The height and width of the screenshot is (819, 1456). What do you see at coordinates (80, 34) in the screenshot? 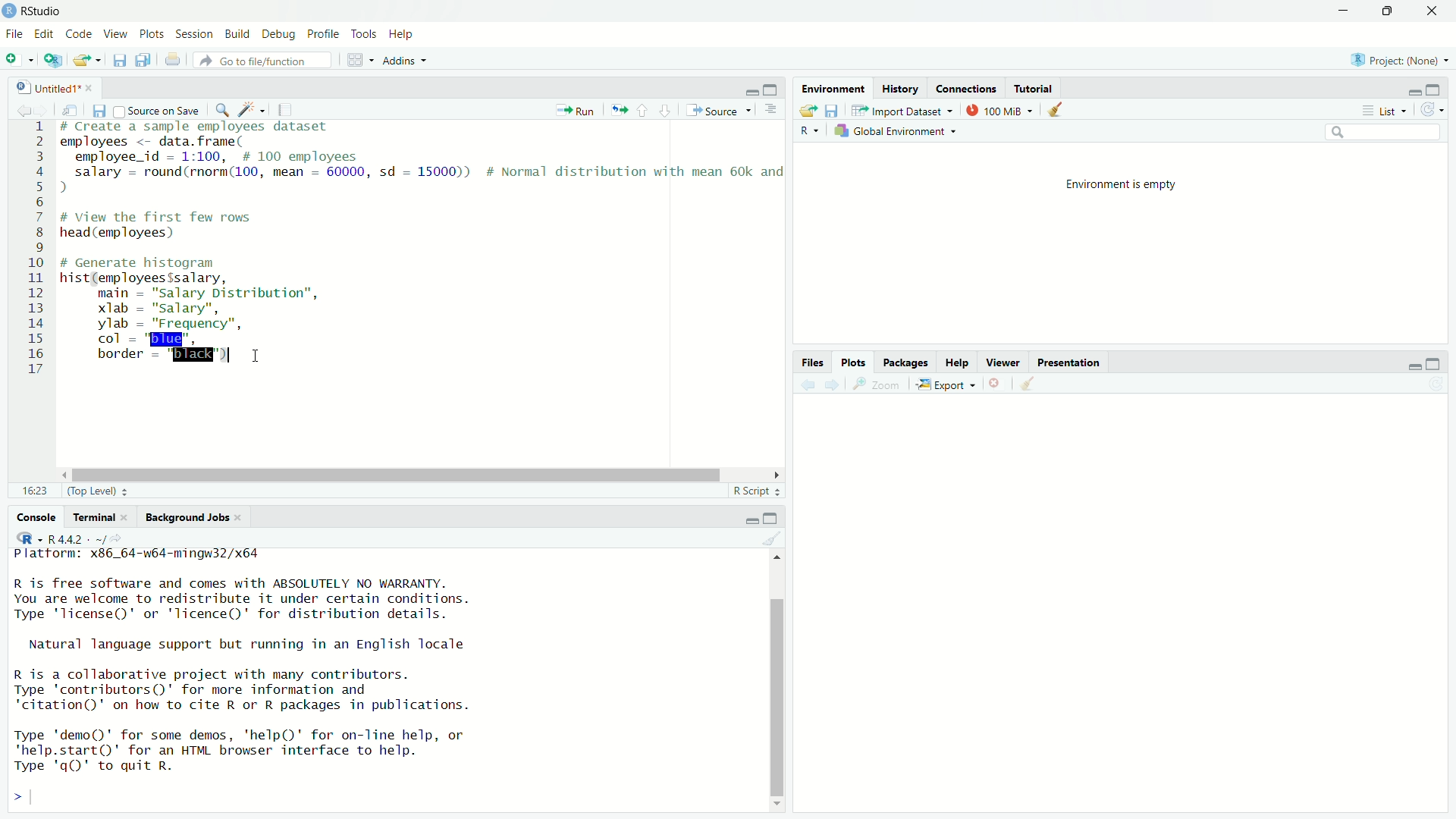
I see `Code` at bounding box center [80, 34].